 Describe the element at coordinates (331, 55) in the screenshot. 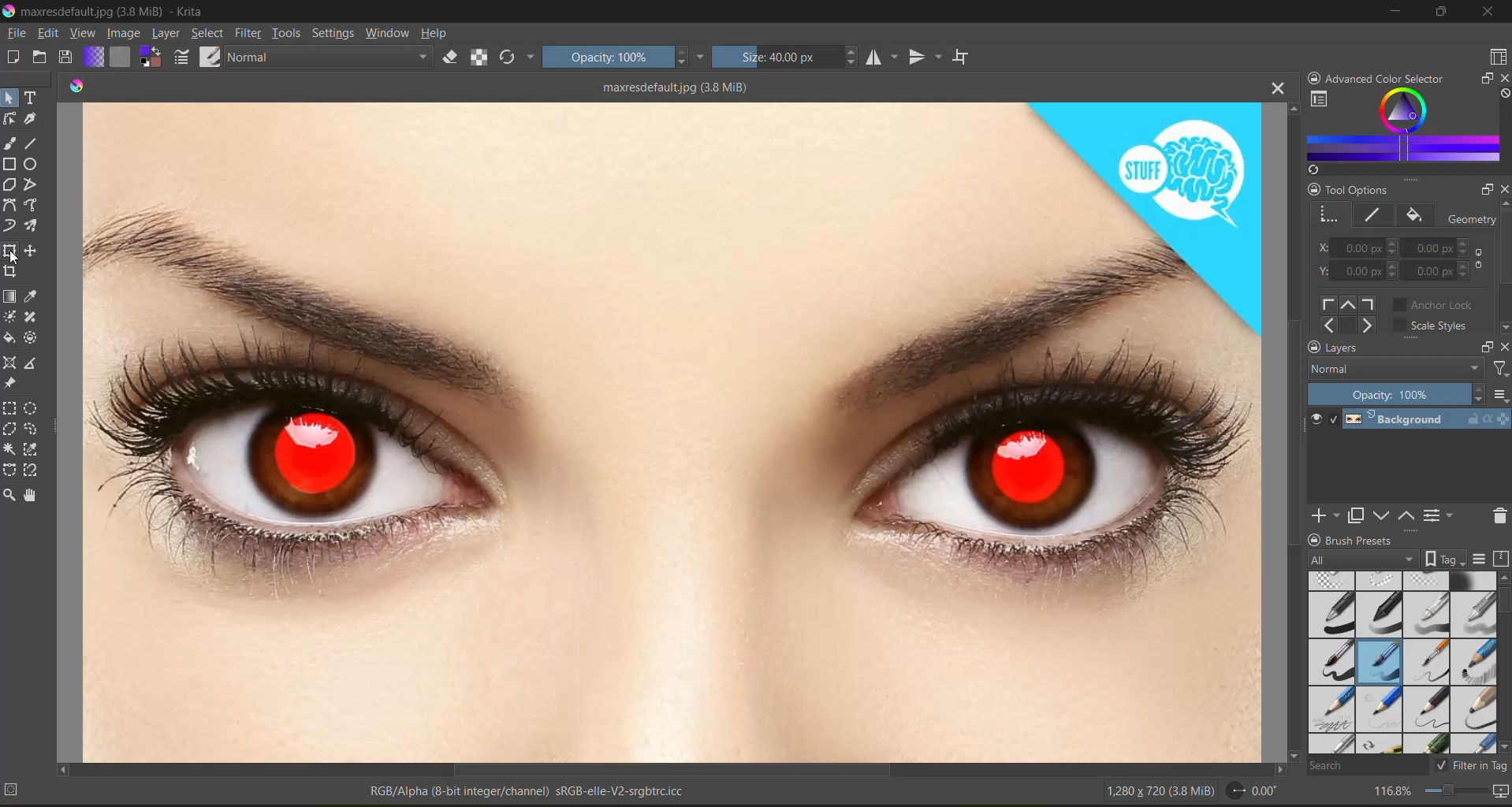

I see `normal` at that location.